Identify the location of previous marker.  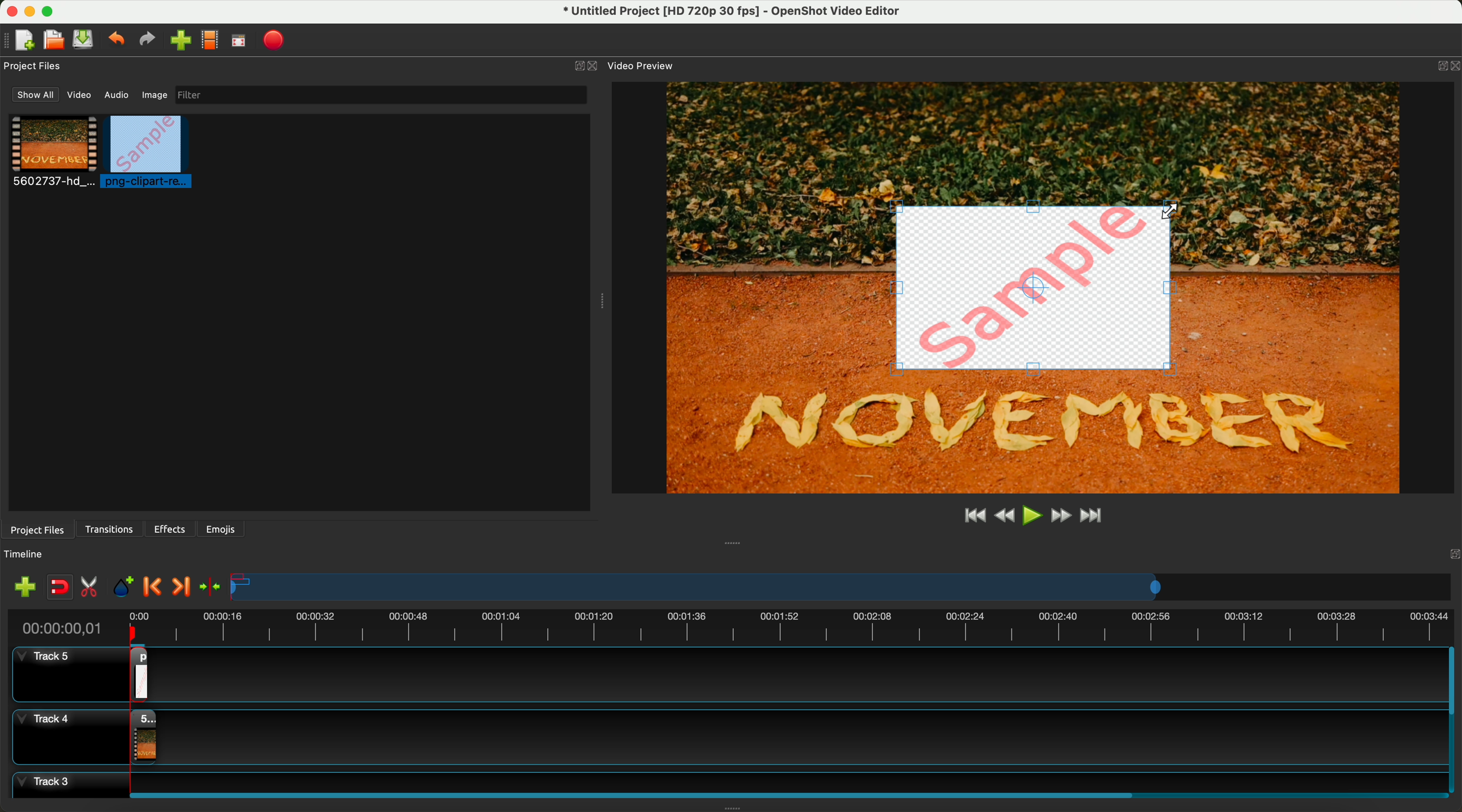
(156, 587).